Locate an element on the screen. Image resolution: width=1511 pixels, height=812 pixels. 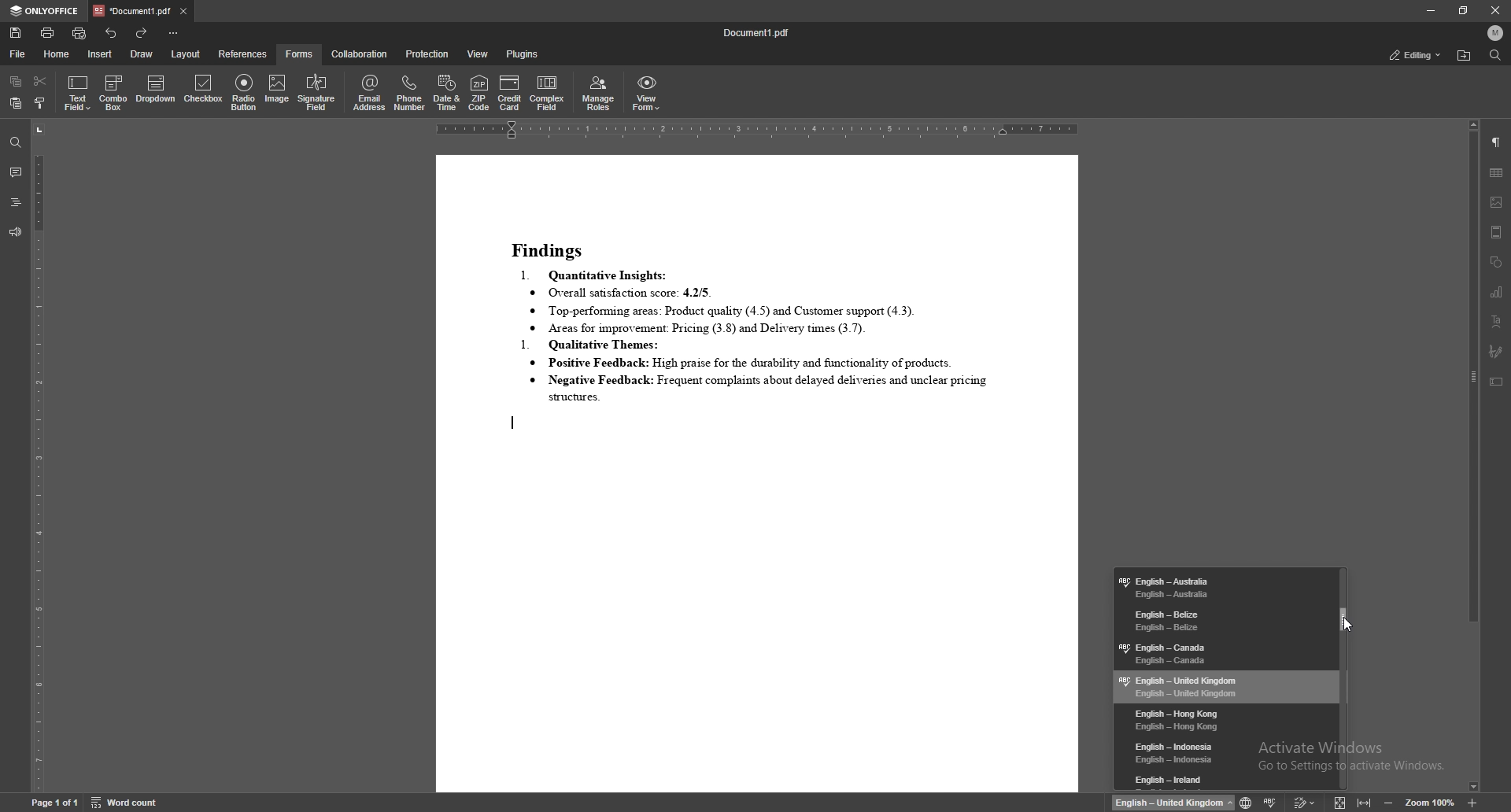
comment is located at coordinates (15, 172).